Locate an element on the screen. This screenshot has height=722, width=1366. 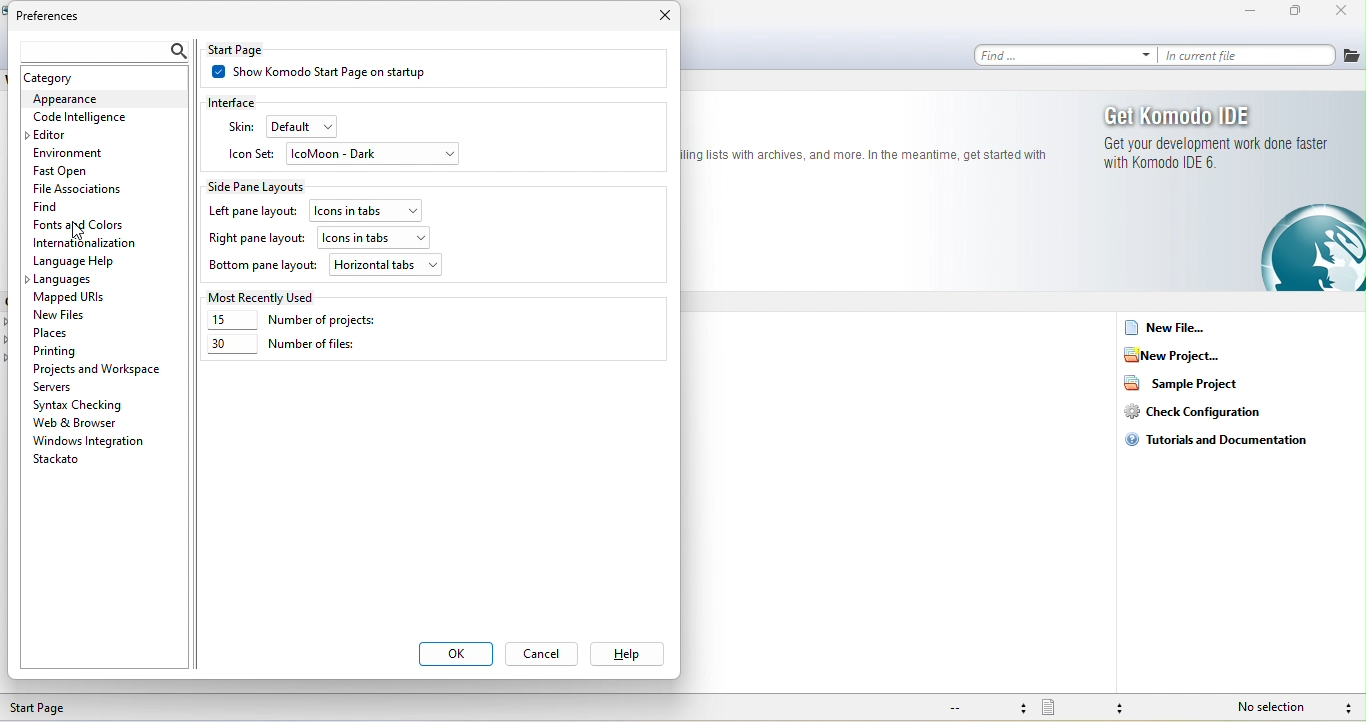
number of files is located at coordinates (284, 346).